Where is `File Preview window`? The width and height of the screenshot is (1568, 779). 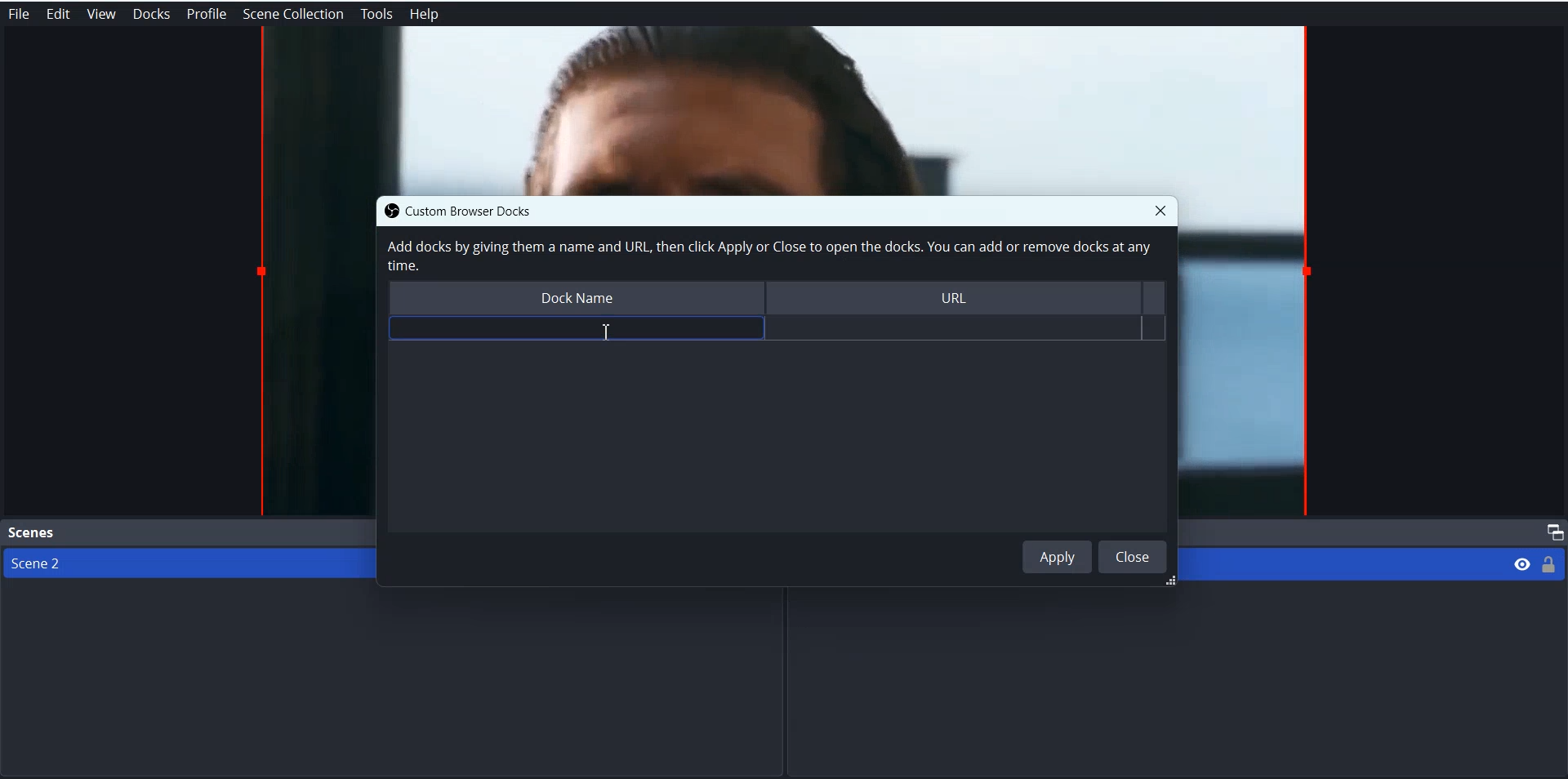
File Preview window is located at coordinates (1249, 358).